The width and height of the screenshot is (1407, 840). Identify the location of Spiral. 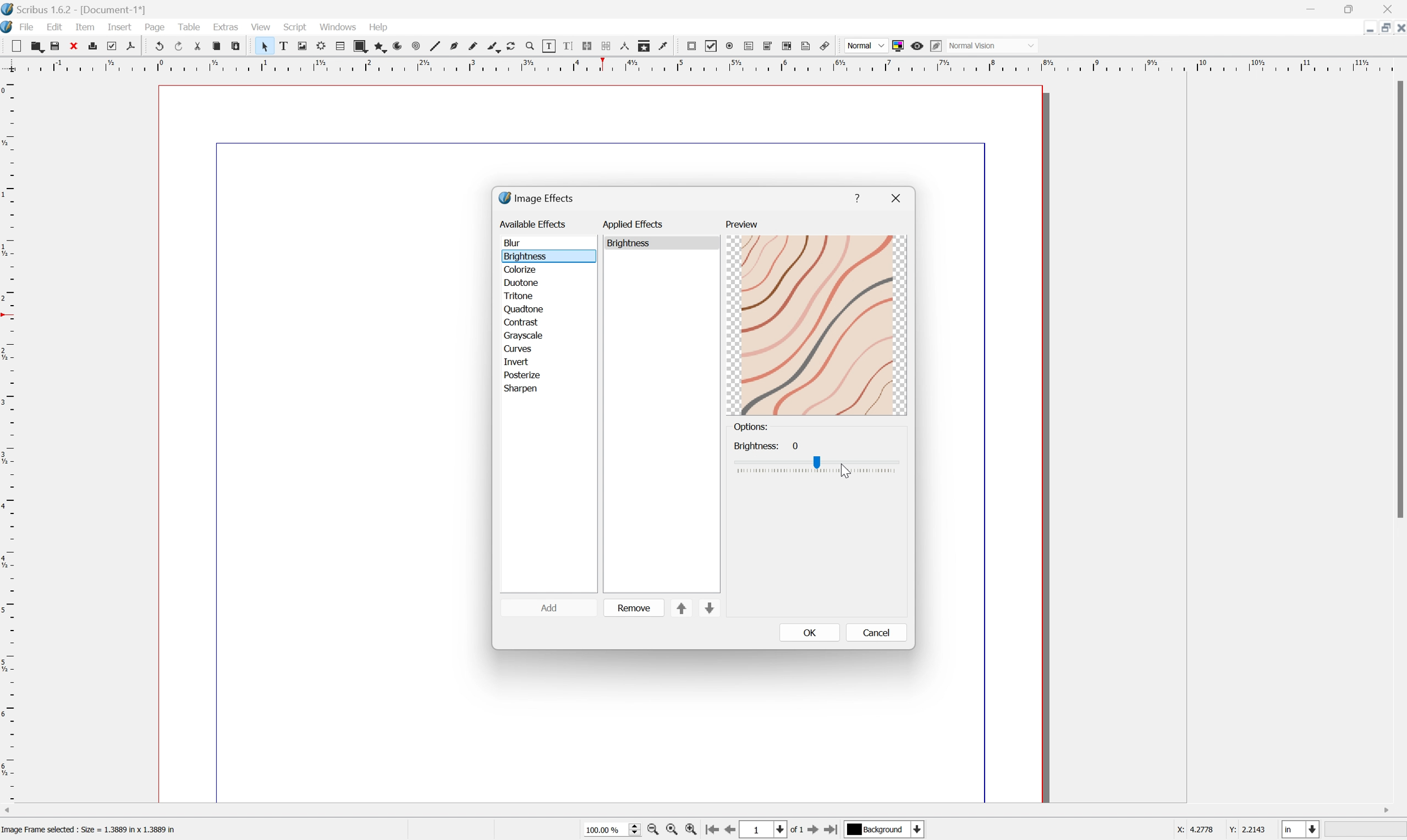
(419, 45).